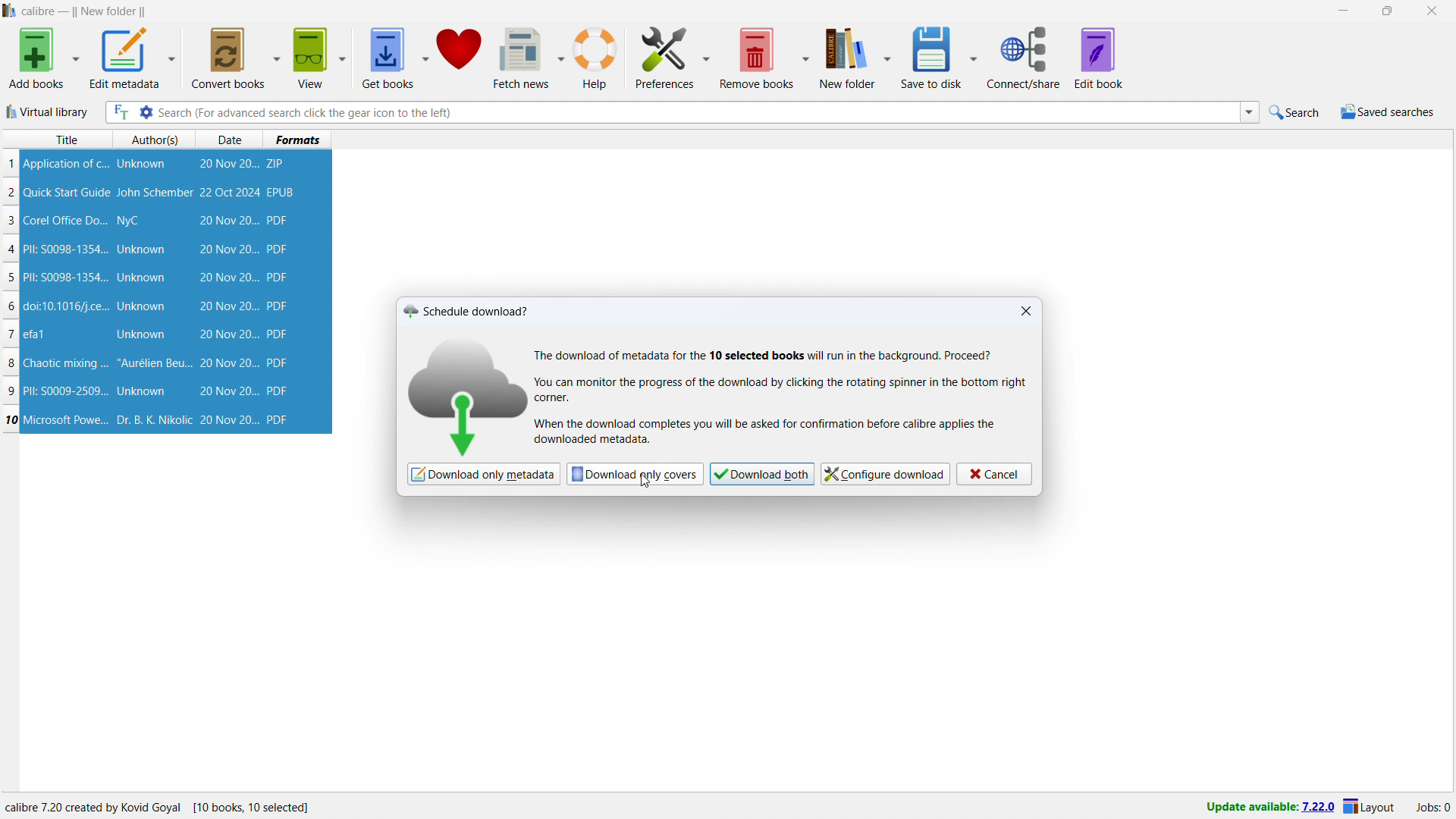  Describe the element at coordinates (11, 419) in the screenshot. I see `10` at that location.